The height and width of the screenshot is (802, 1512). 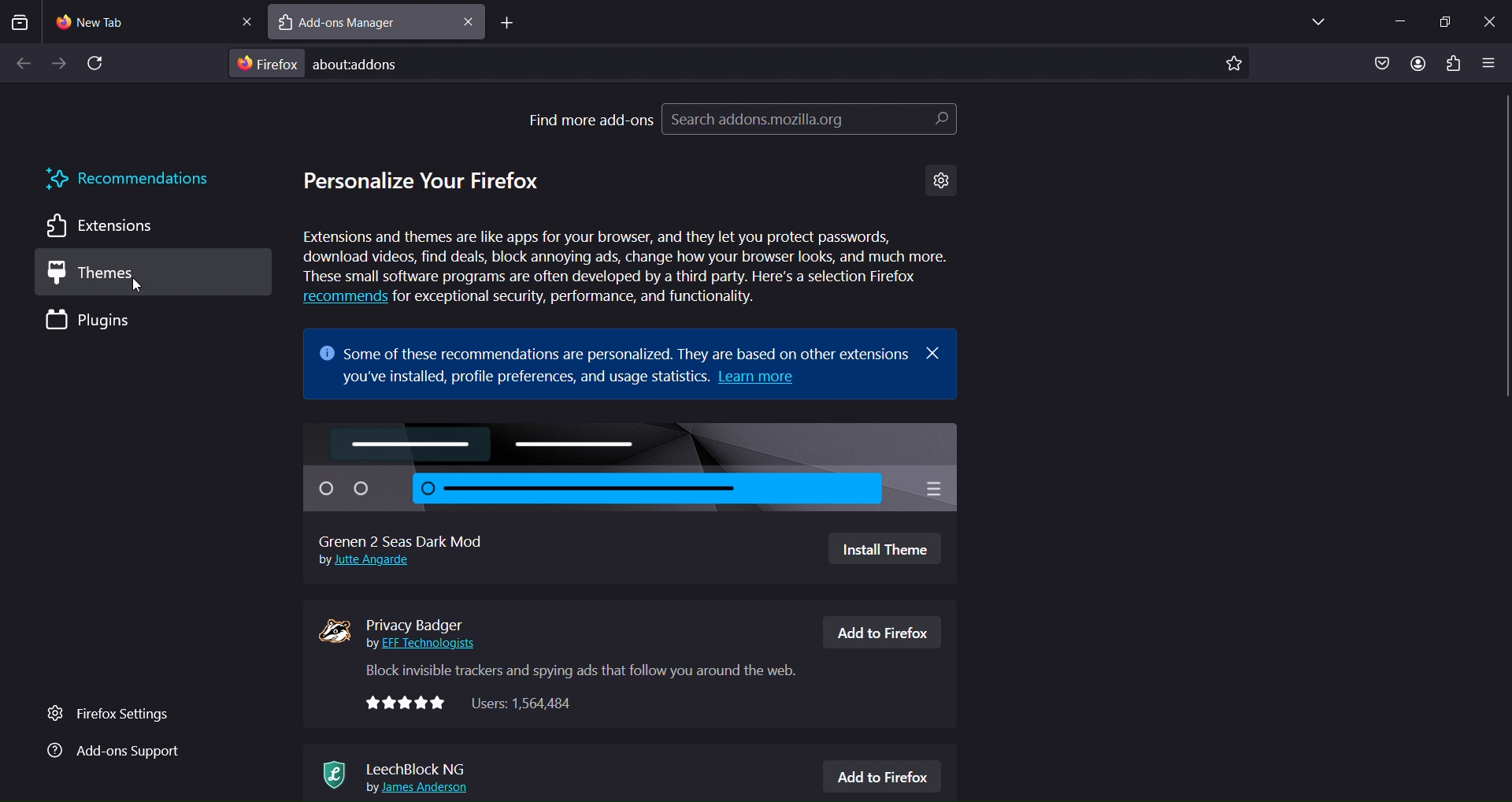 I want to click on plugins, so click(x=105, y=321).